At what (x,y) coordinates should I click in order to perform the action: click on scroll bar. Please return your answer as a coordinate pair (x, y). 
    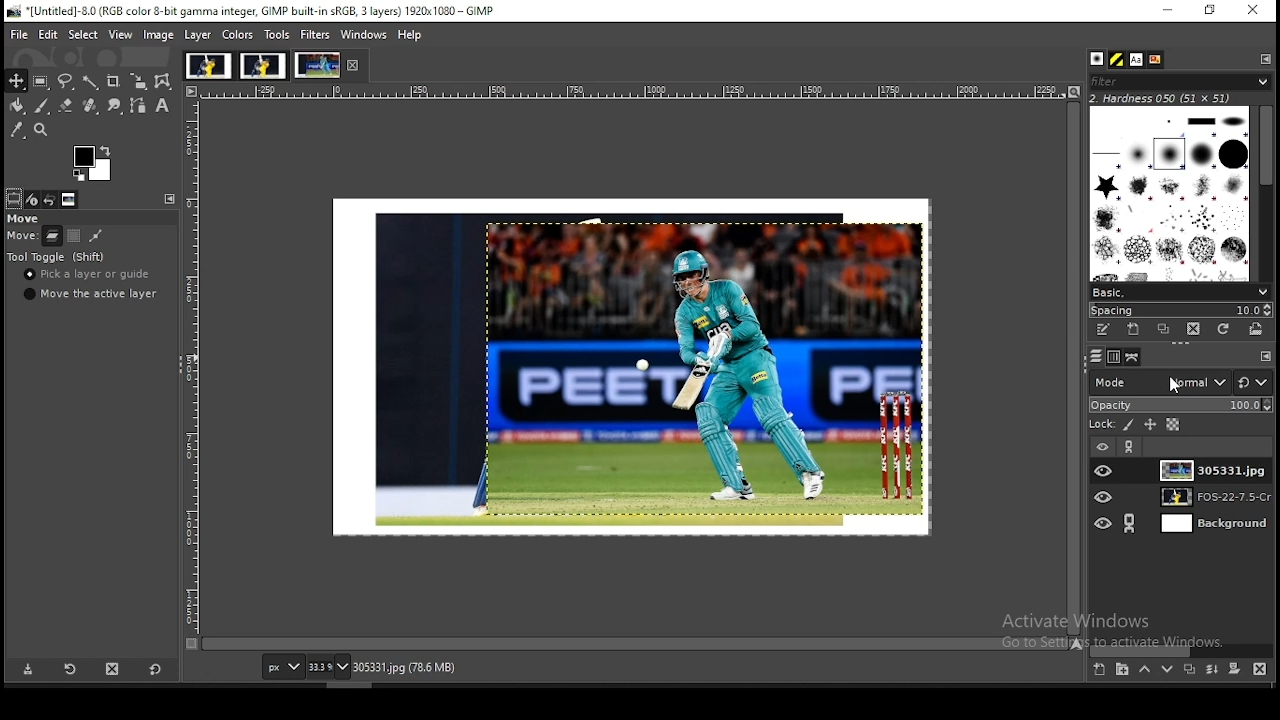
    Looking at the image, I should click on (1072, 370).